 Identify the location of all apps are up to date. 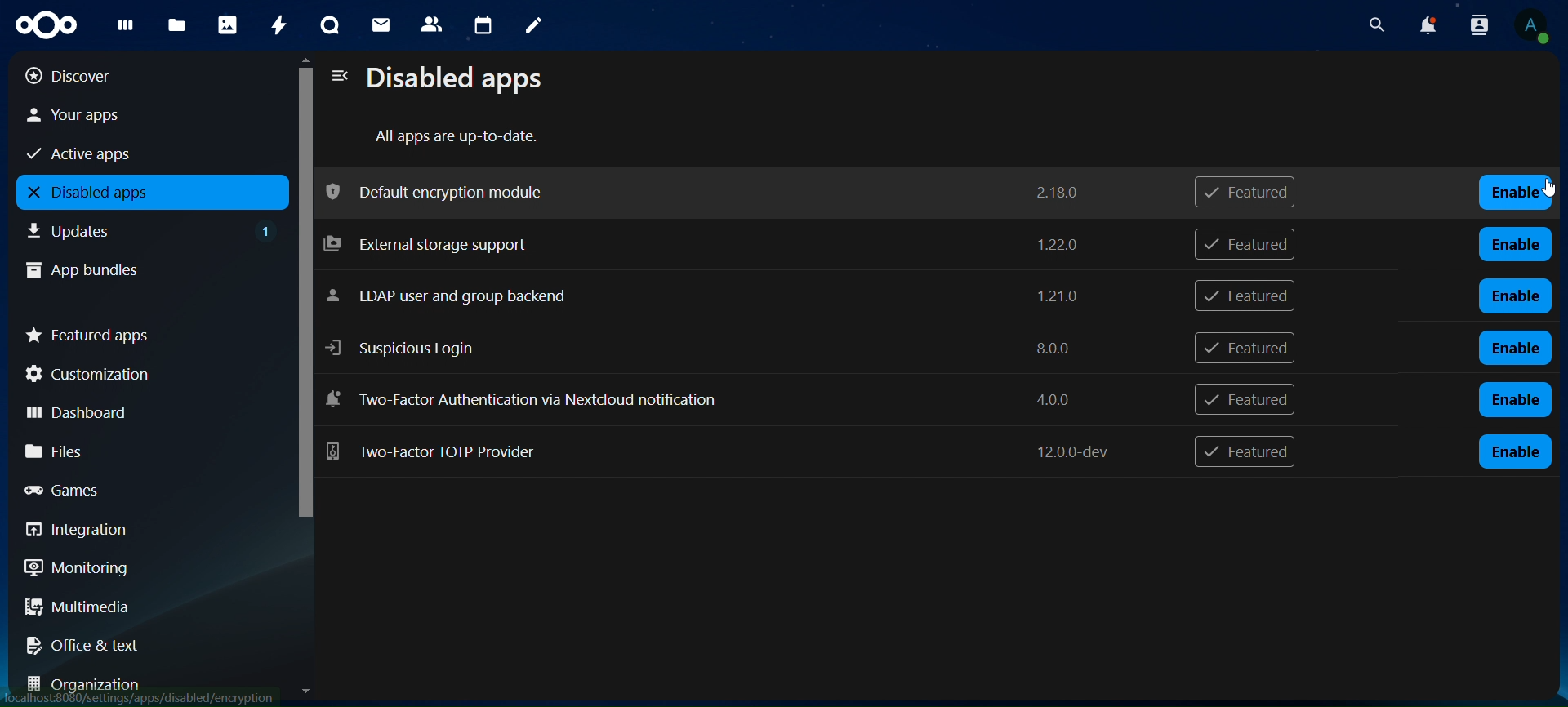
(460, 137).